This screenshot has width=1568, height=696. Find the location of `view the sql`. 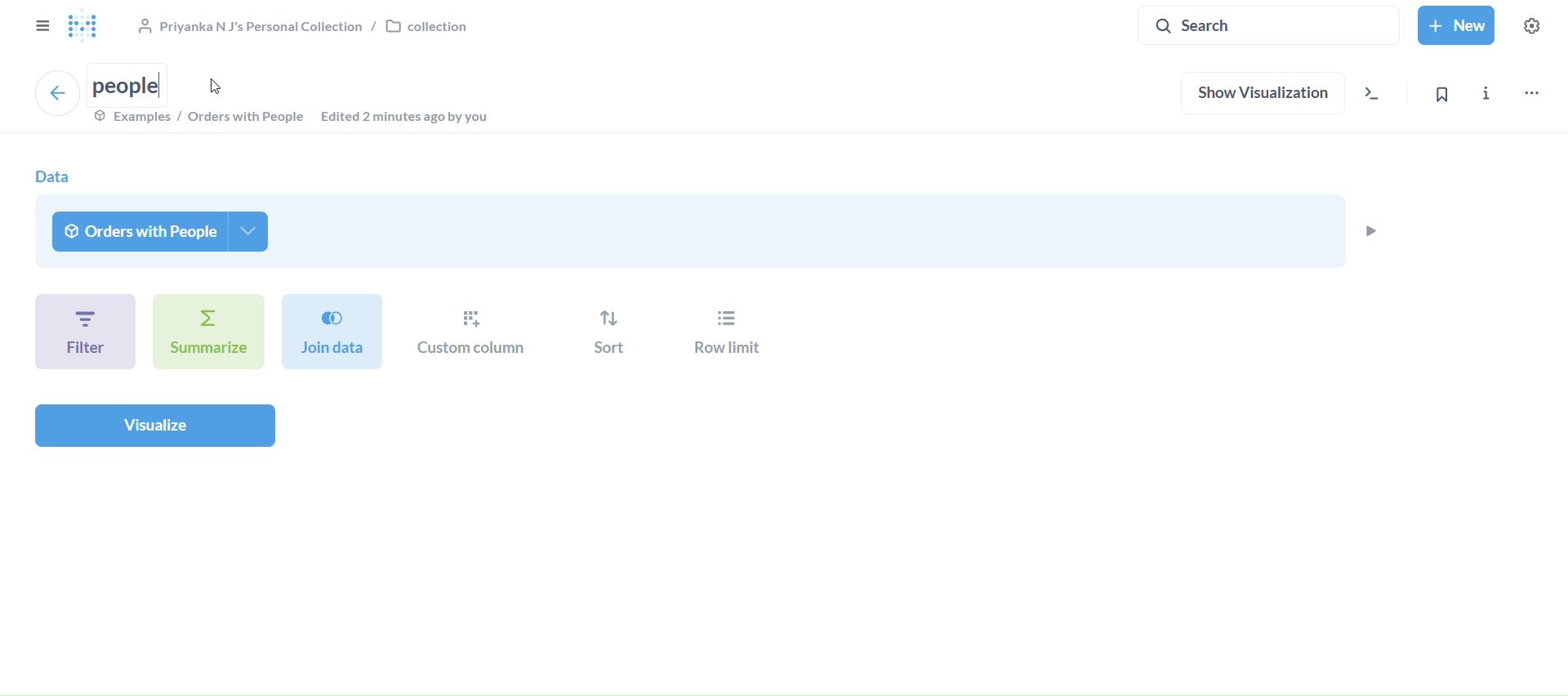

view the sql is located at coordinates (1378, 96).